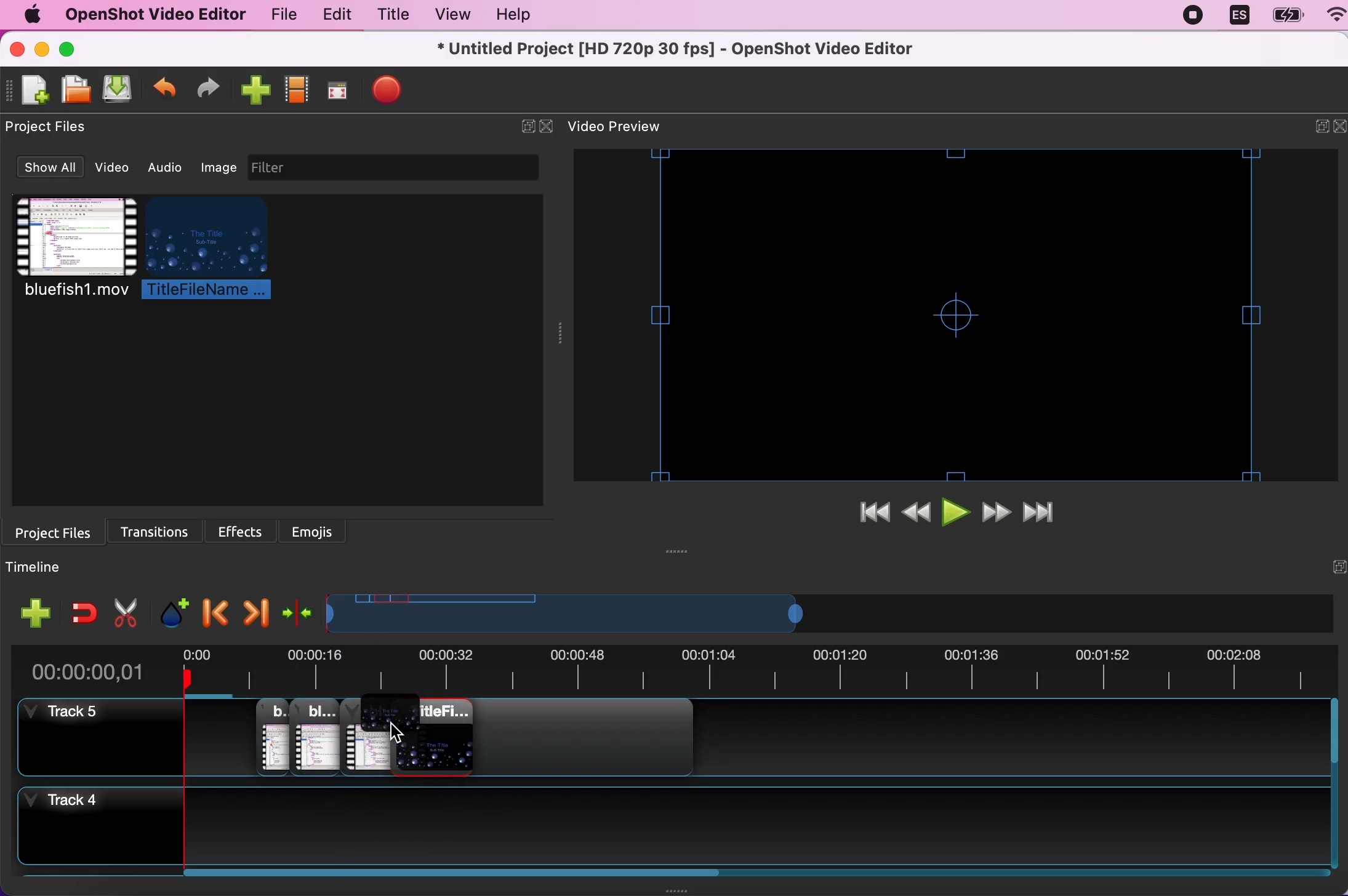 The width and height of the screenshot is (1348, 896). Describe the element at coordinates (1313, 129) in the screenshot. I see `expand/hide` at that location.